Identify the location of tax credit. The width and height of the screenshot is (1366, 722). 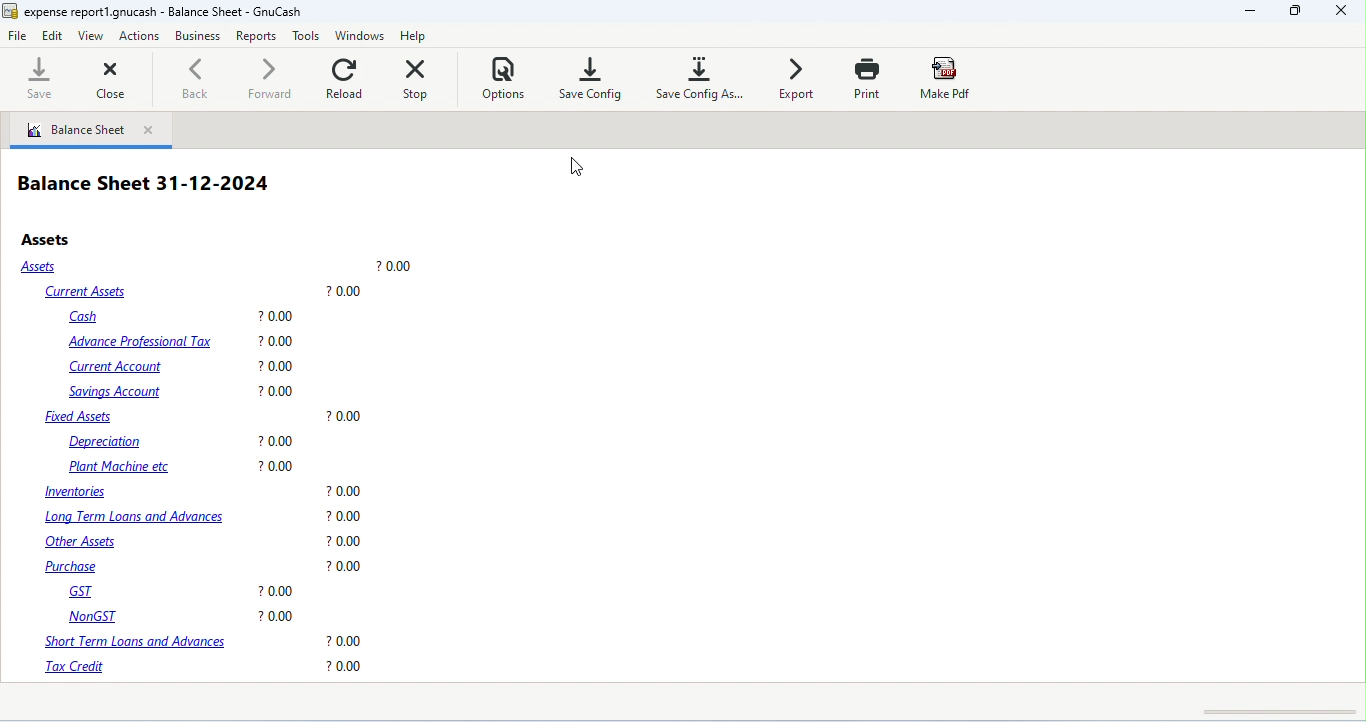
(205, 666).